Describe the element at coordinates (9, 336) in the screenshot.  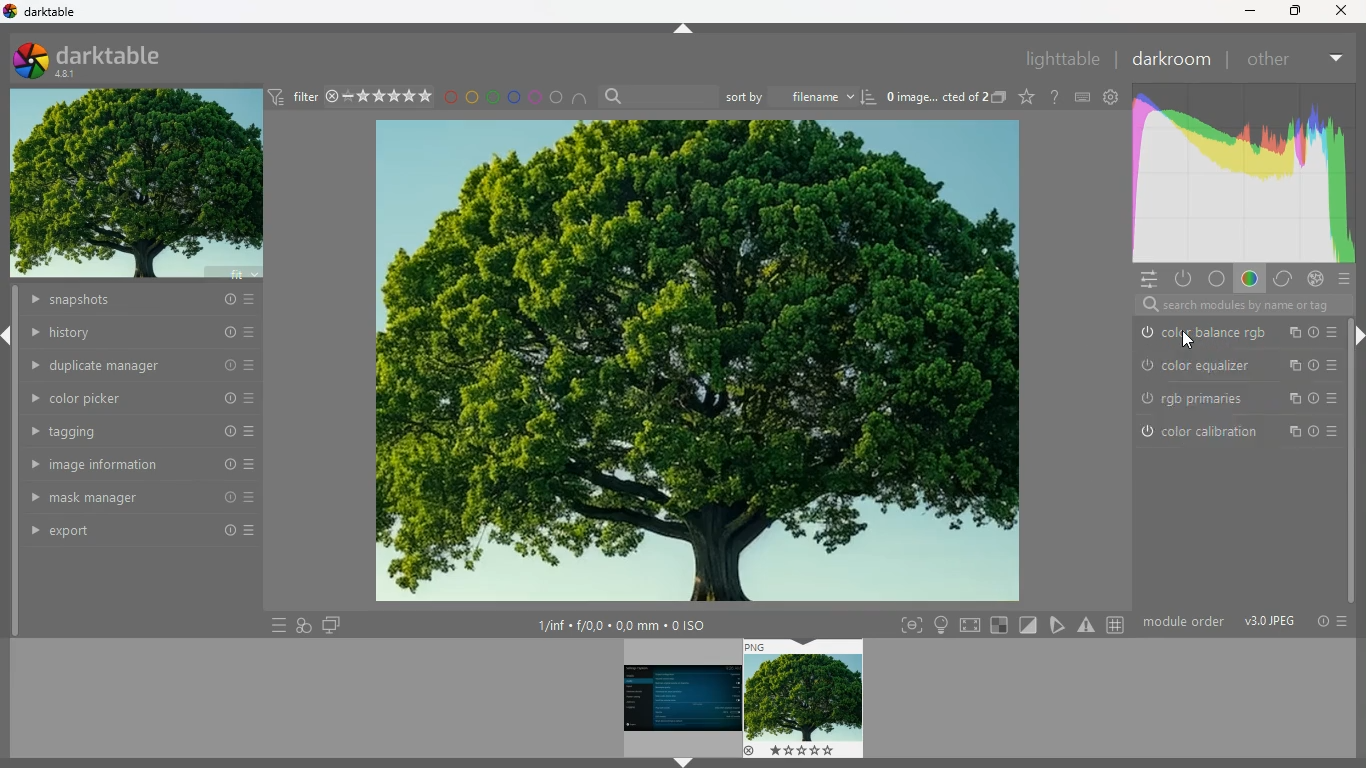
I see `arrow` at that location.